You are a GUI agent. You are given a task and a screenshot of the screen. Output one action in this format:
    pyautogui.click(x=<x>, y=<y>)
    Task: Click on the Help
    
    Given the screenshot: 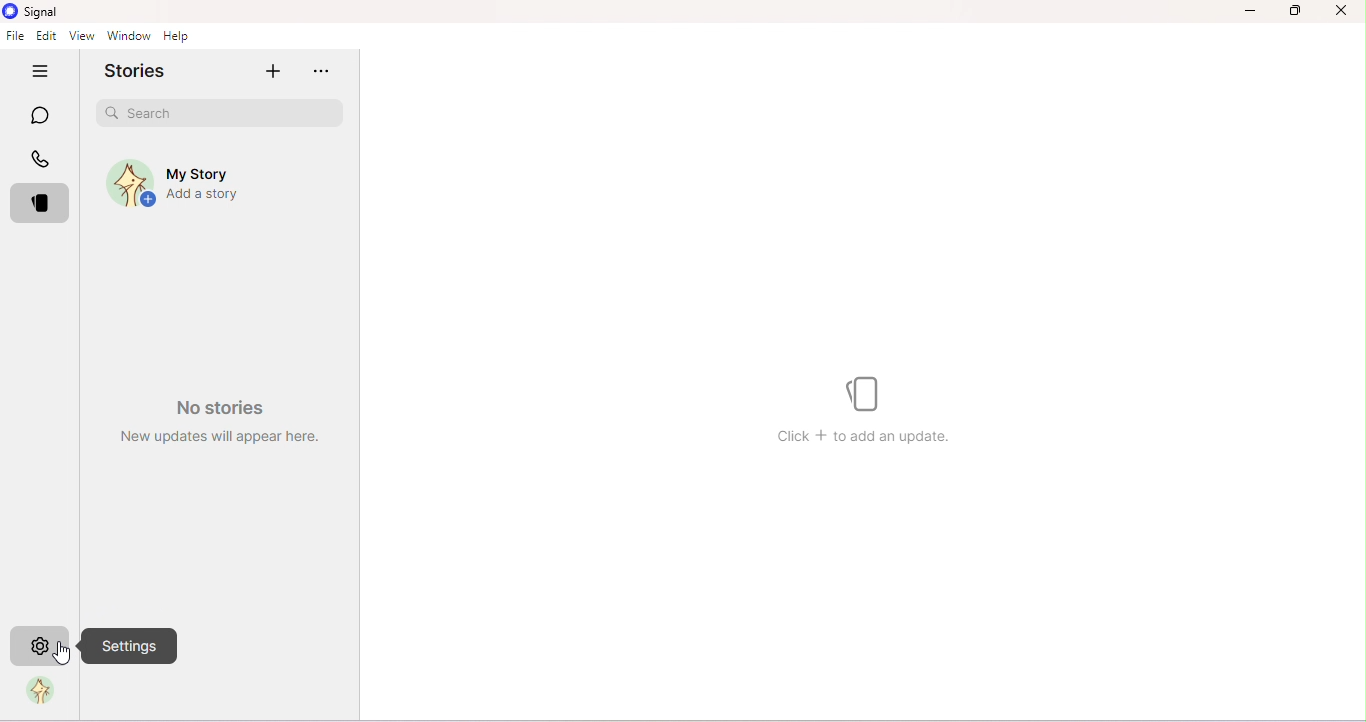 What is the action you would take?
    pyautogui.click(x=177, y=38)
    